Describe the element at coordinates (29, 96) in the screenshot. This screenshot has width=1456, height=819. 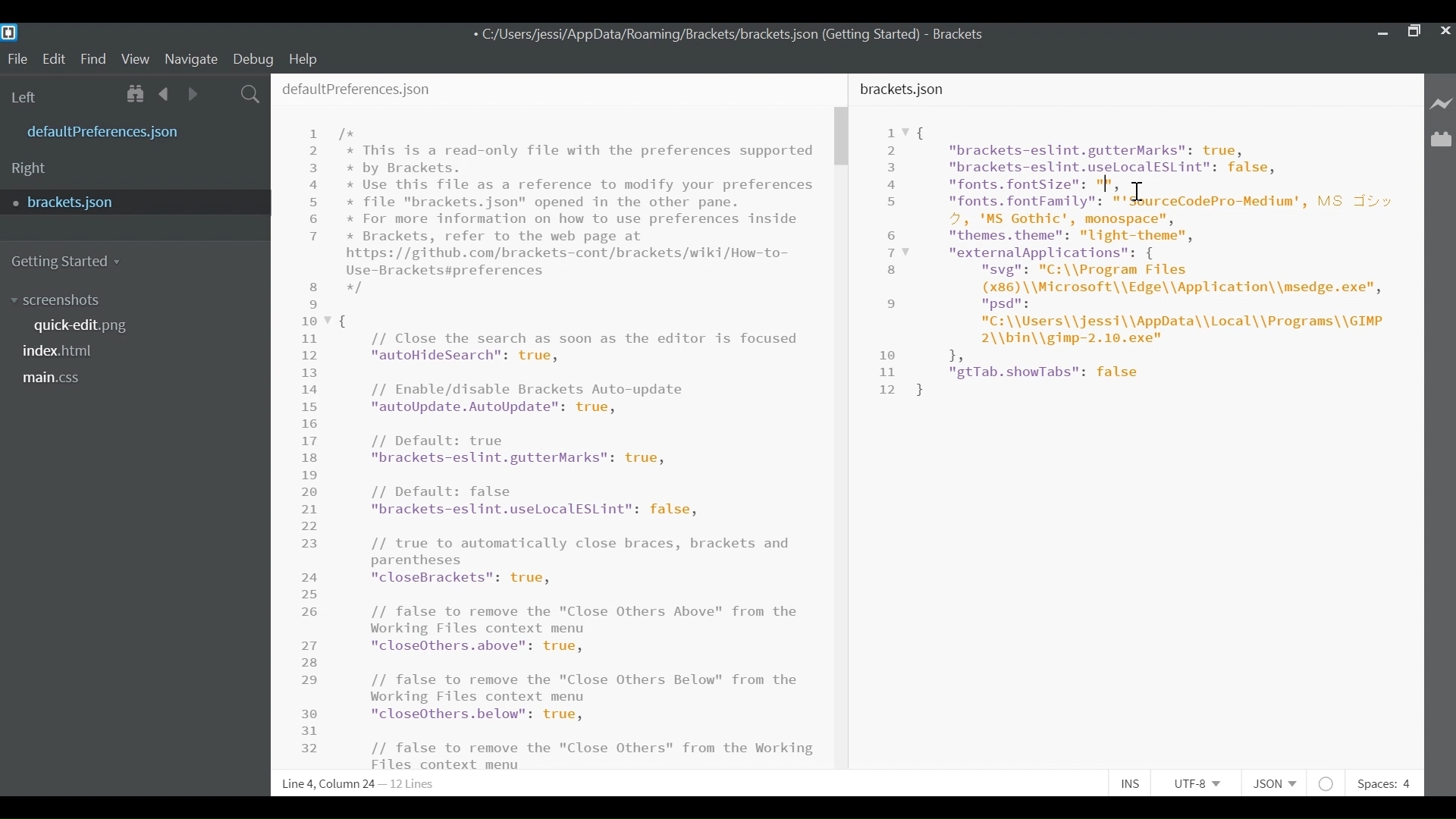
I see `Left` at that location.